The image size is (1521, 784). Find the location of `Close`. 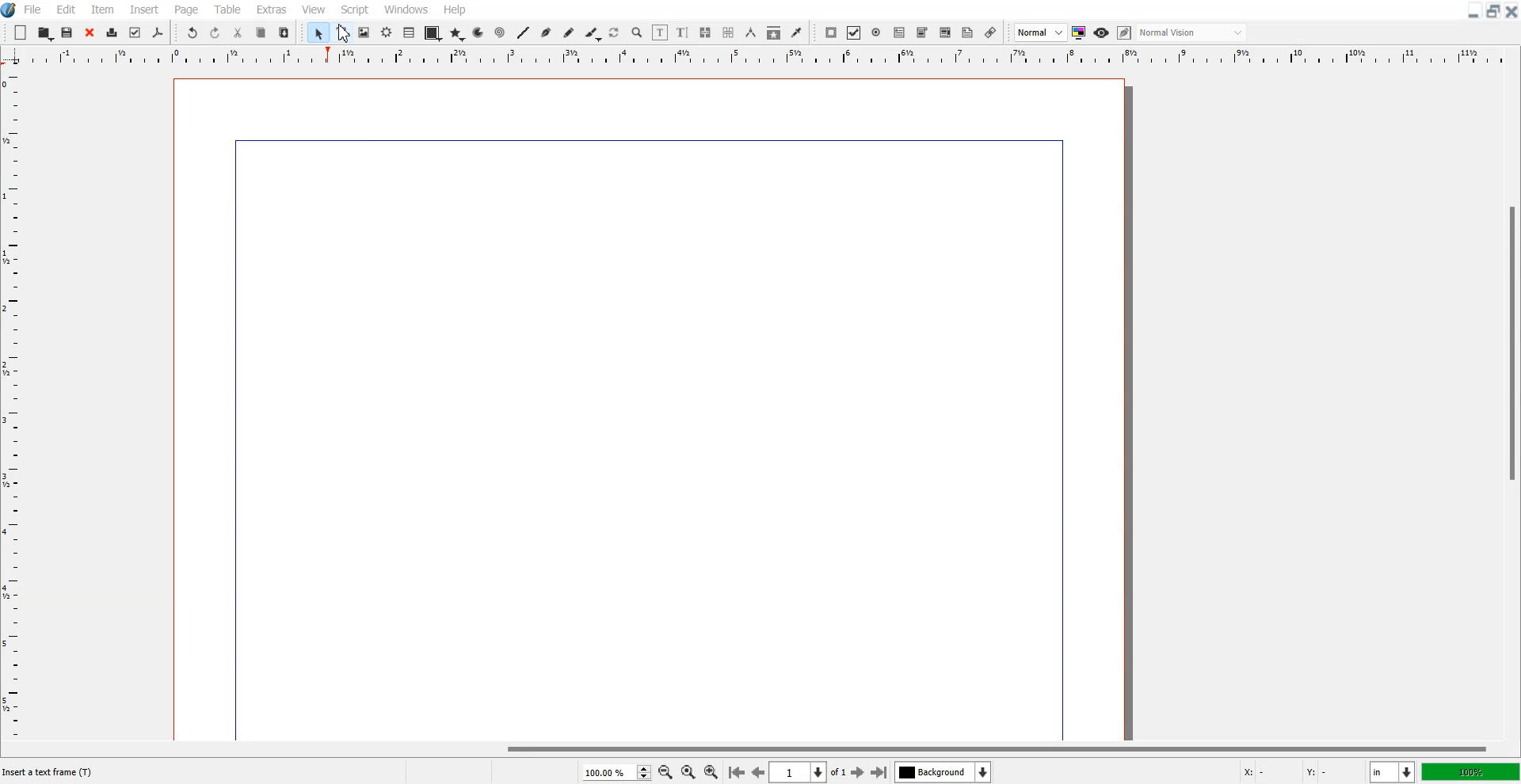

Close is located at coordinates (90, 33).